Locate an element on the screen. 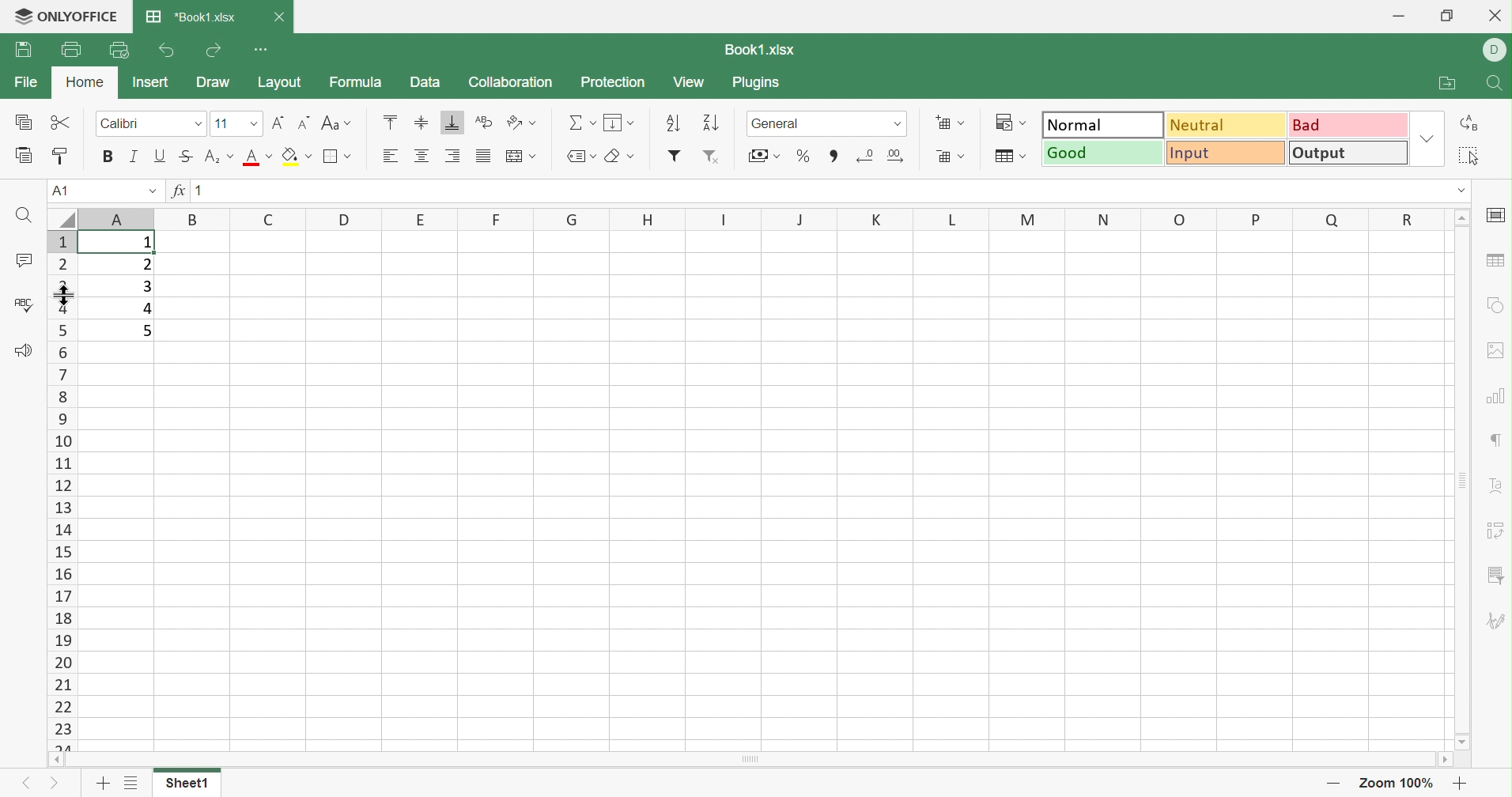 Image resolution: width=1512 pixels, height=797 pixels. Zoom 100% is located at coordinates (1399, 783).